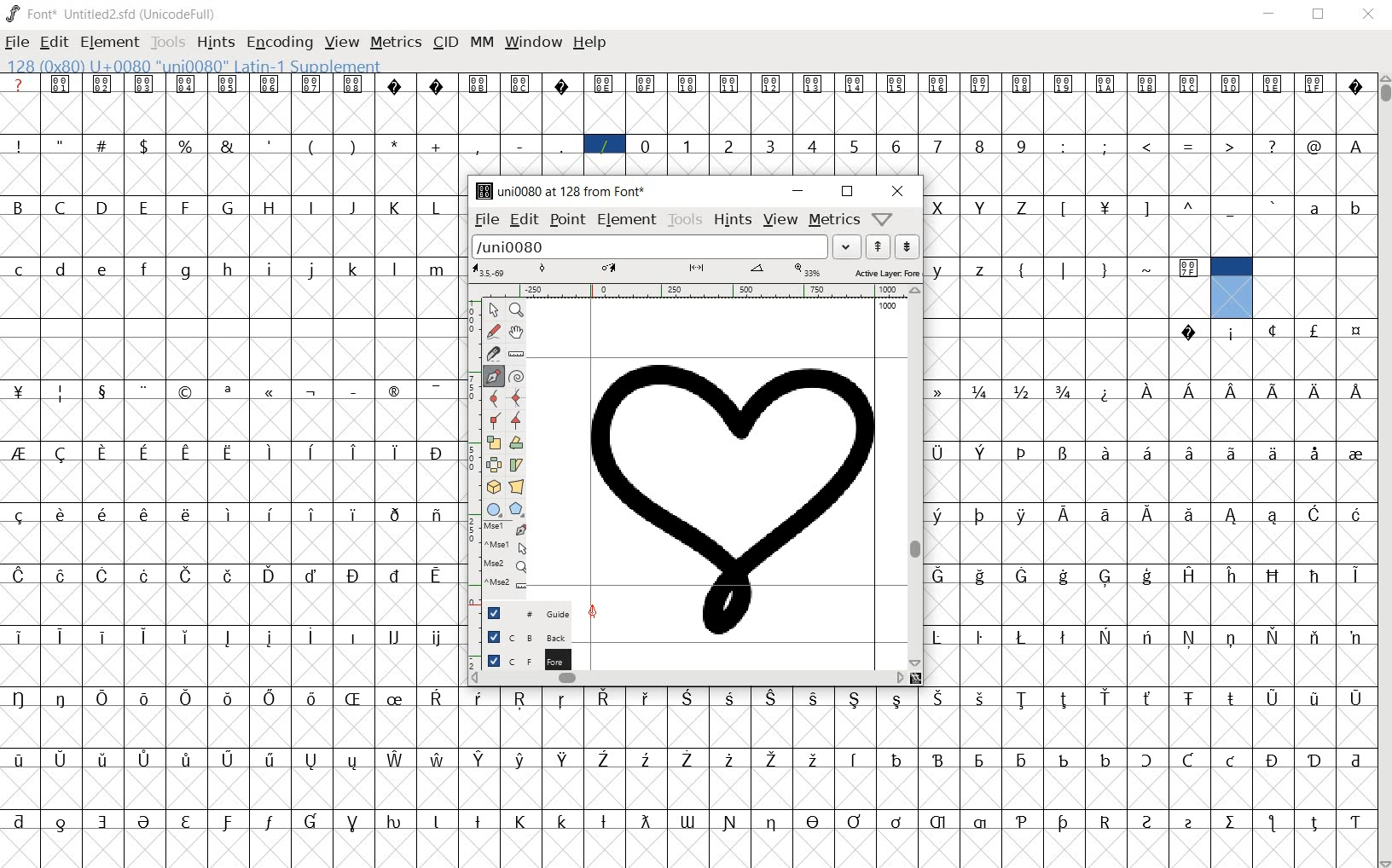 This screenshot has height=868, width=1392. Describe the element at coordinates (1232, 576) in the screenshot. I see `glyph` at that location.